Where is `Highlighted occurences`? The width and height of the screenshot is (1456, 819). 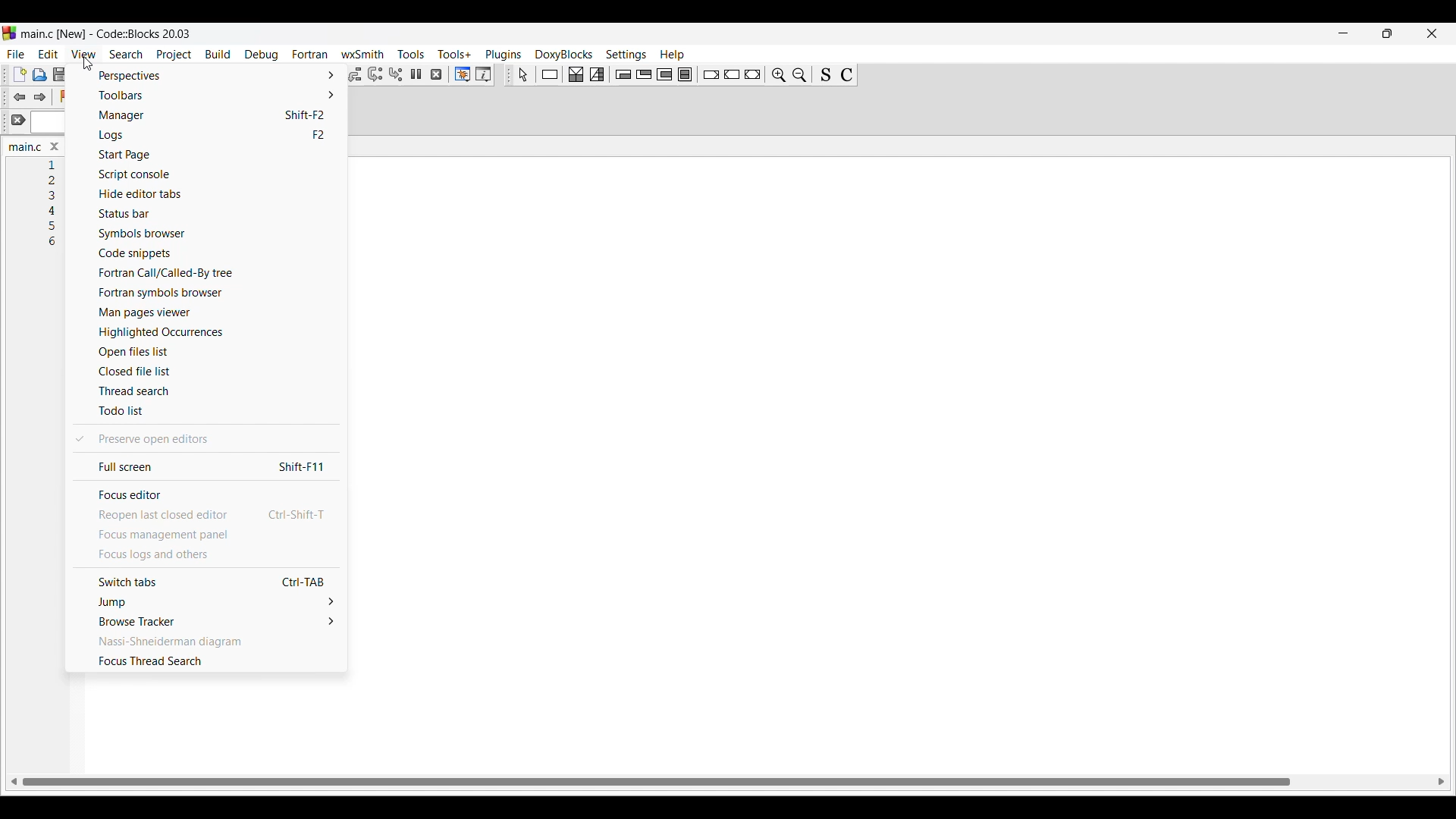 Highlighted occurences is located at coordinates (209, 331).